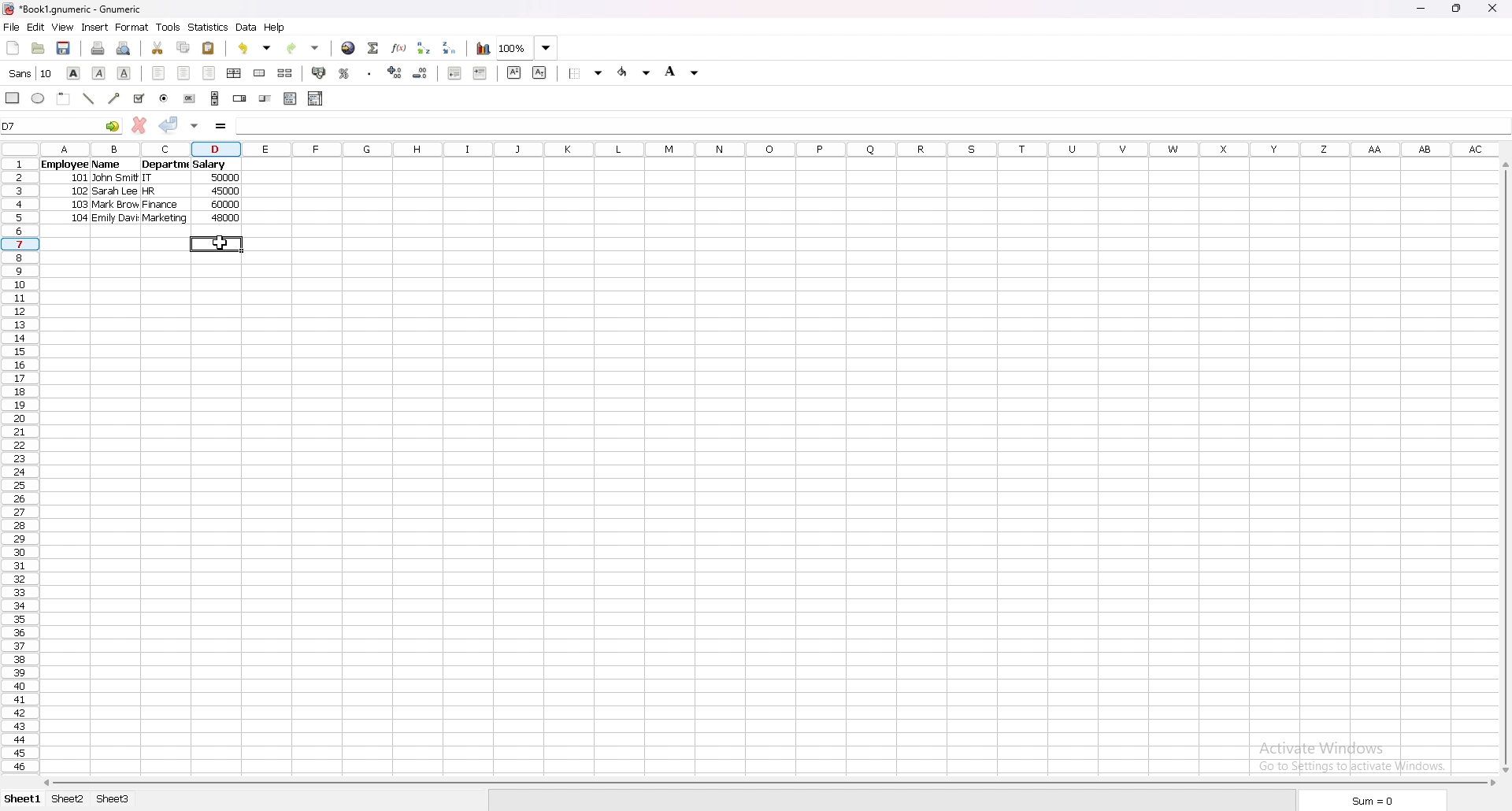 The image size is (1512, 811). What do you see at coordinates (246, 28) in the screenshot?
I see `data` at bounding box center [246, 28].